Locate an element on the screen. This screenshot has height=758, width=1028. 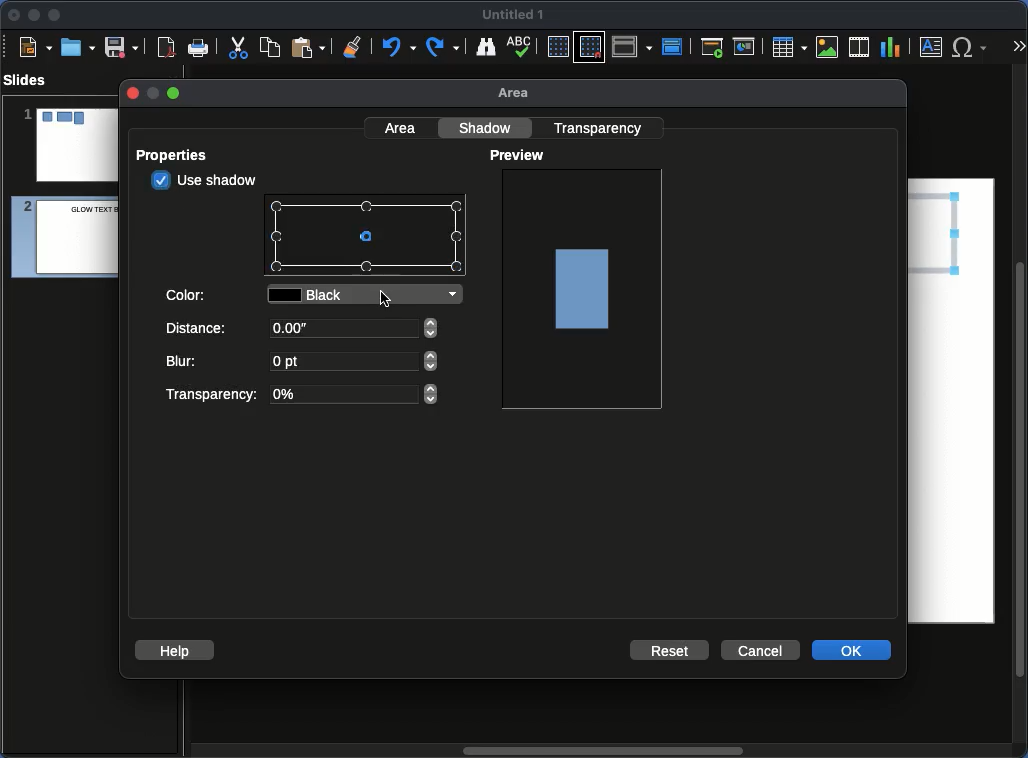
Chart is located at coordinates (890, 48).